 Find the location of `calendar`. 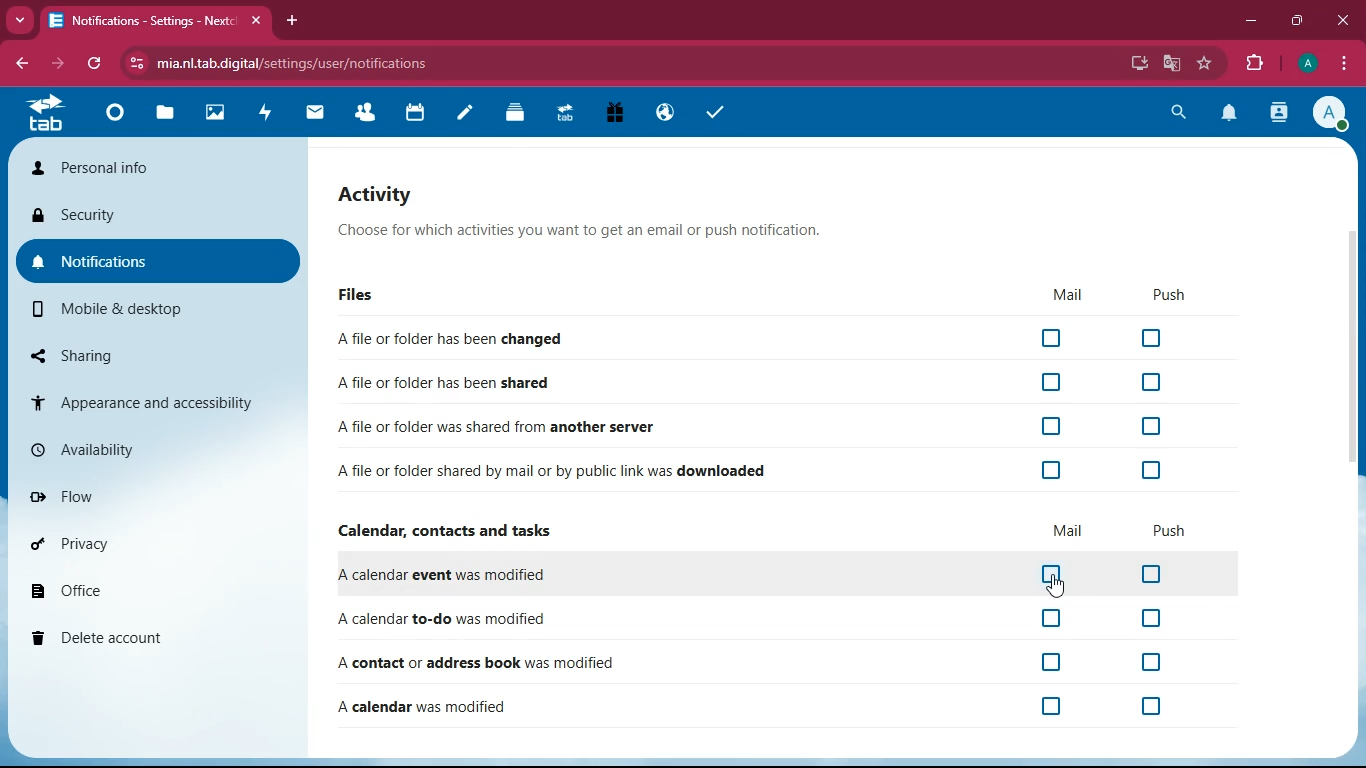

calendar is located at coordinates (419, 114).